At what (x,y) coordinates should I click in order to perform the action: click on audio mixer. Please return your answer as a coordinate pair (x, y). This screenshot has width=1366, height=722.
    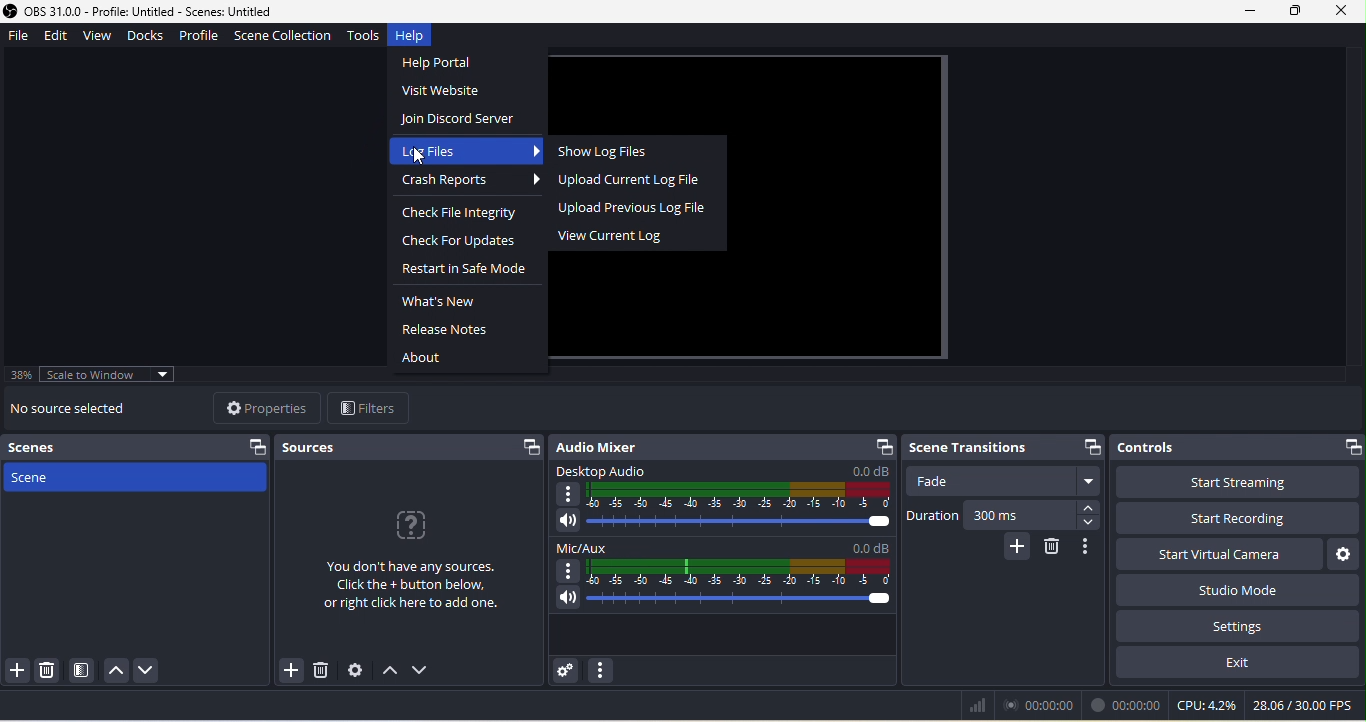
    Looking at the image, I should click on (722, 446).